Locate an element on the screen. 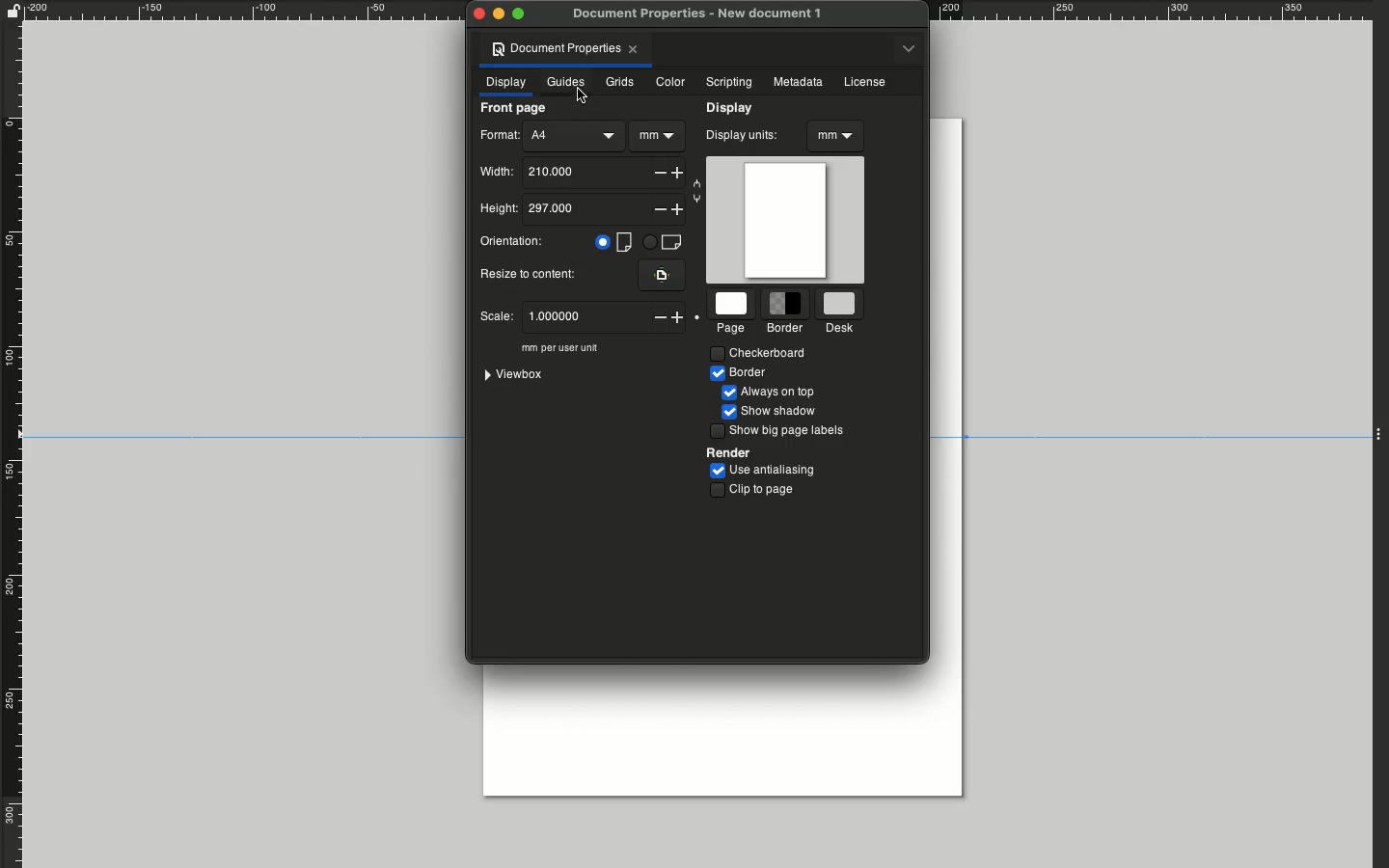  Format is located at coordinates (496, 138).